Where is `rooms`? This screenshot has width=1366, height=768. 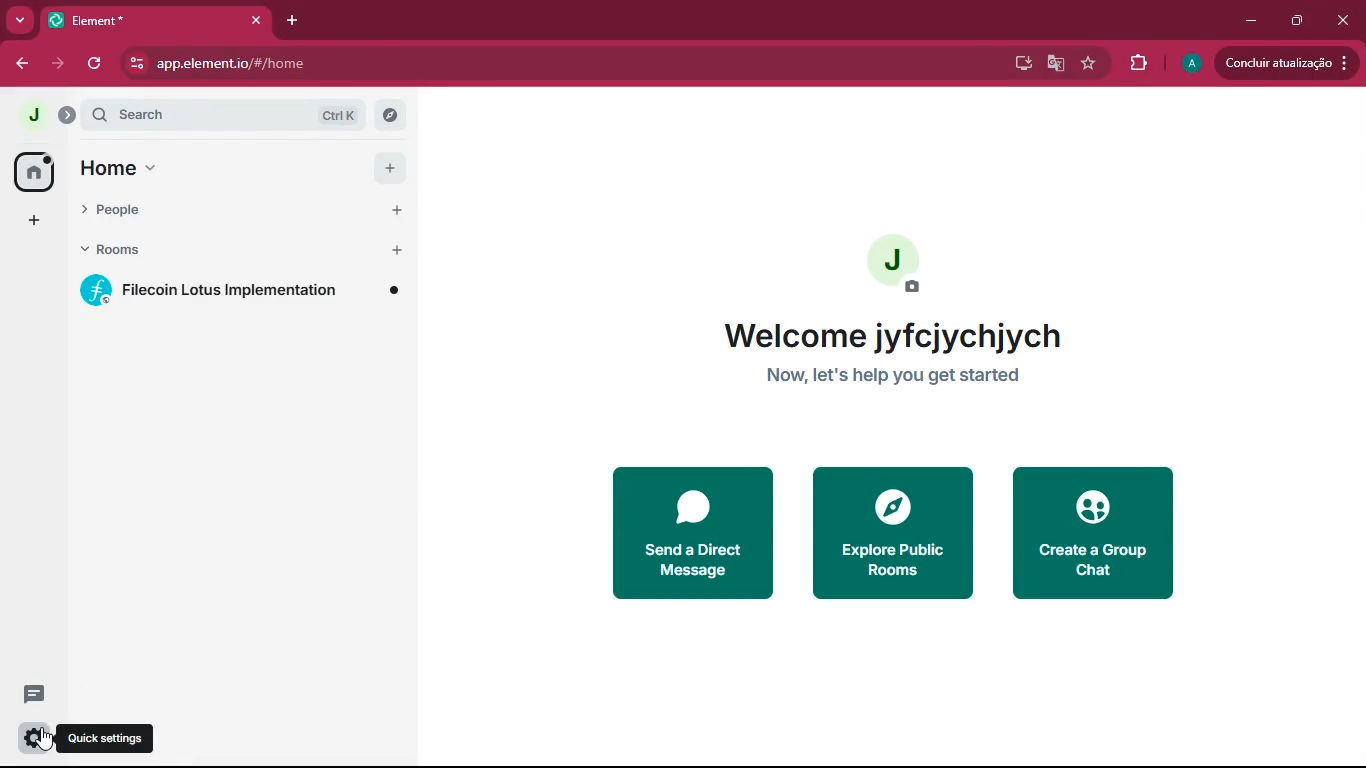
rooms is located at coordinates (213, 253).